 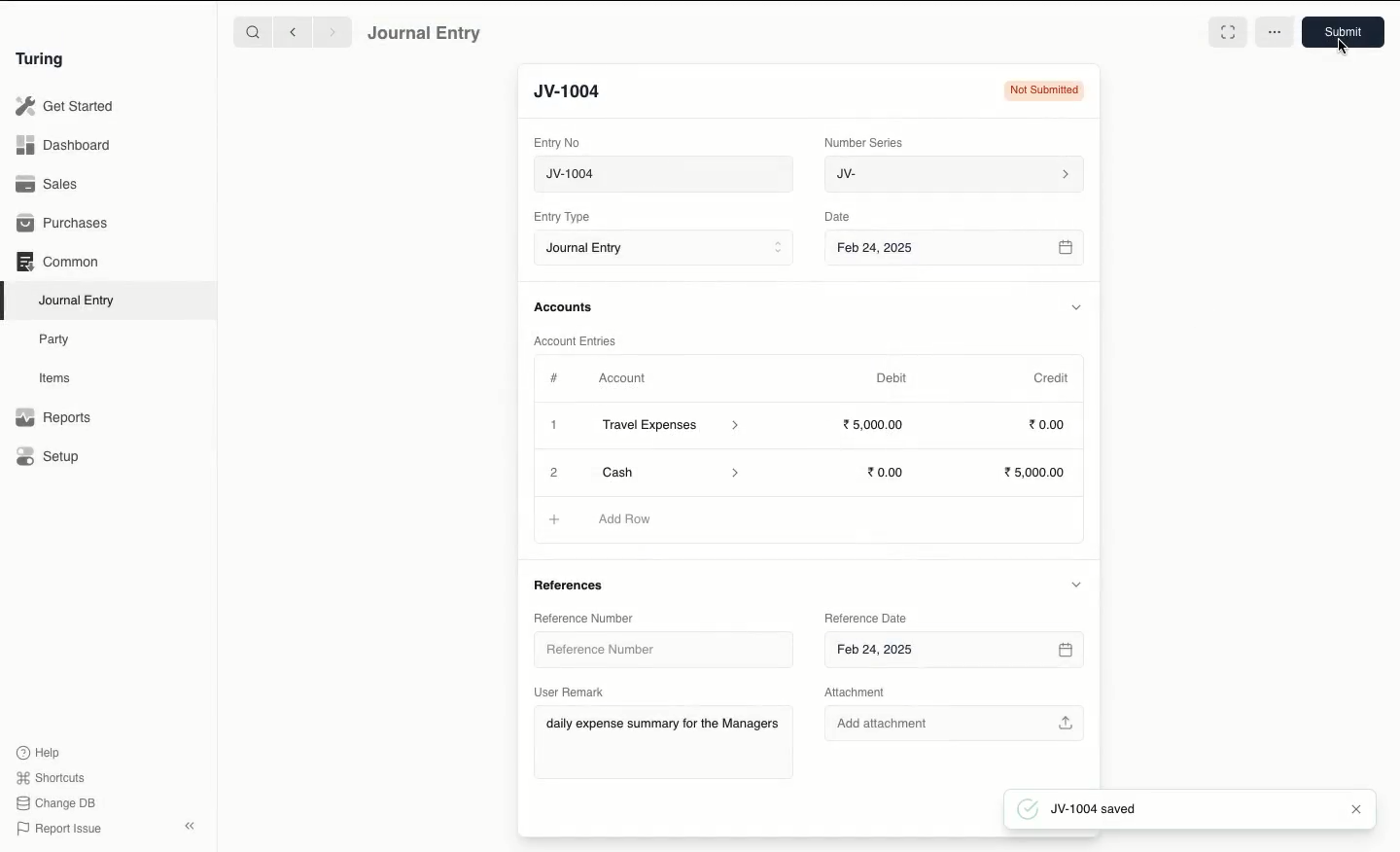 I want to click on 5000.00, so click(x=875, y=423).